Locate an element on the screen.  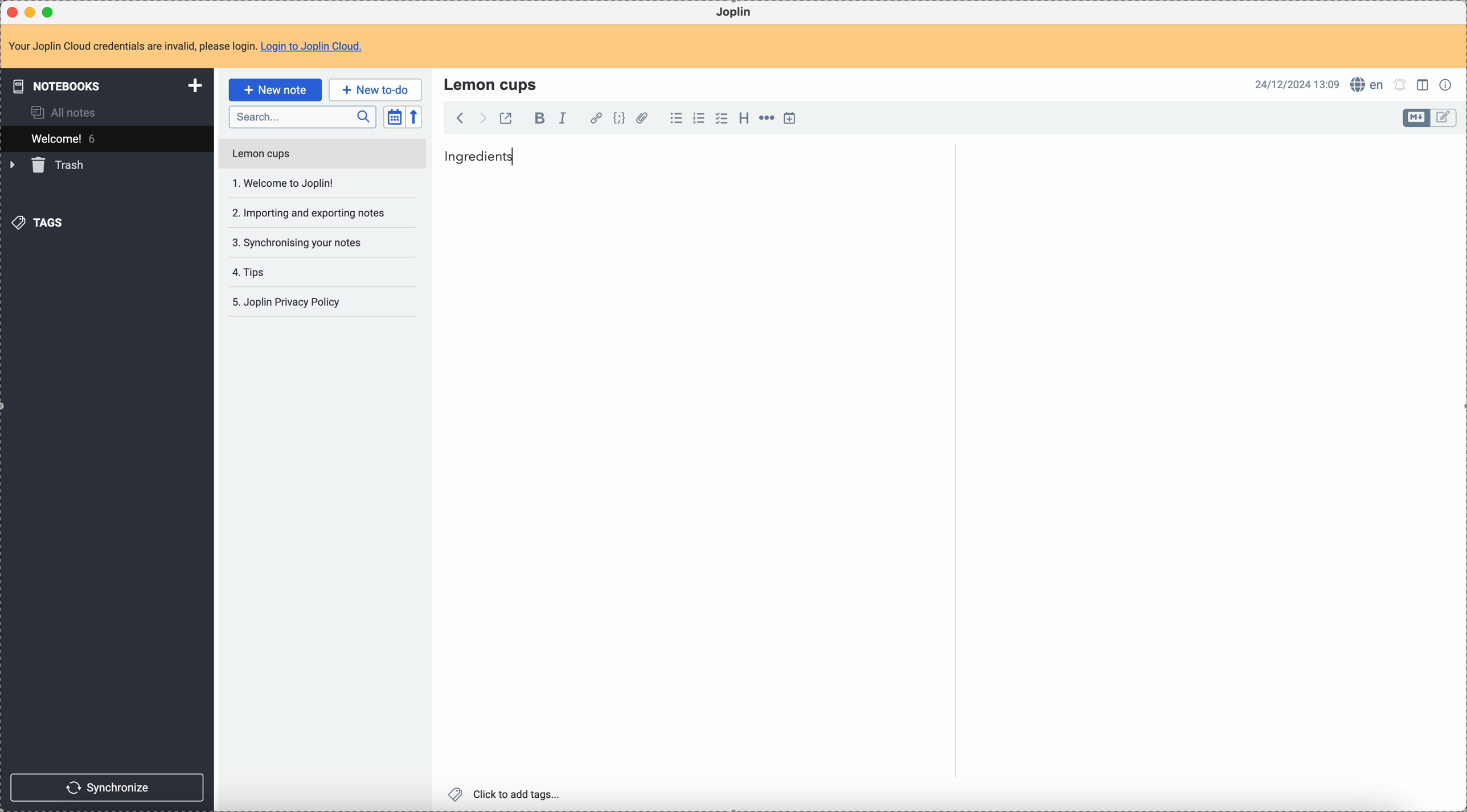
lemon cups is located at coordinates (321, 156).